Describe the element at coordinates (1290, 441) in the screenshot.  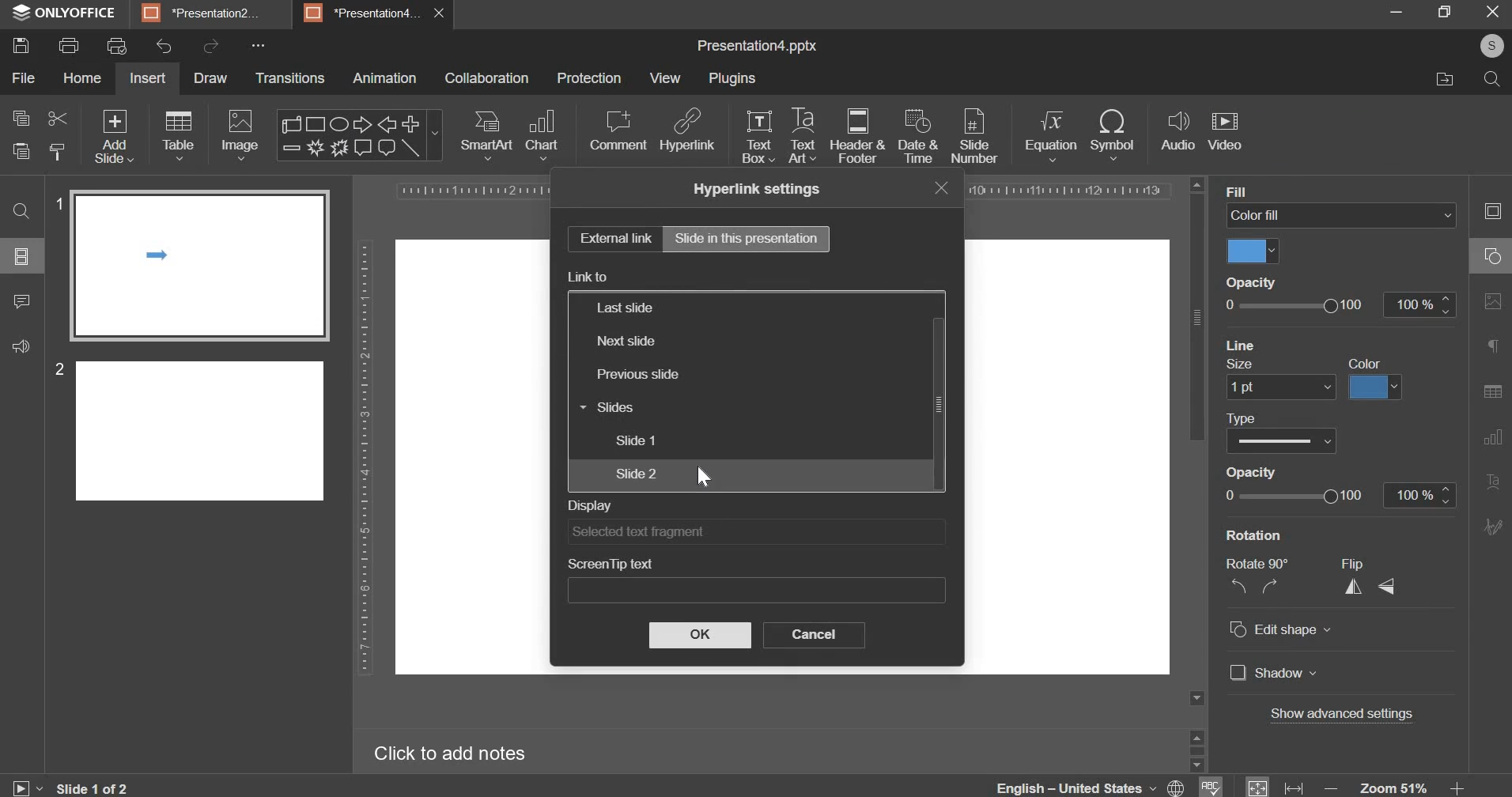
I see `CO Show Date and` at that location.